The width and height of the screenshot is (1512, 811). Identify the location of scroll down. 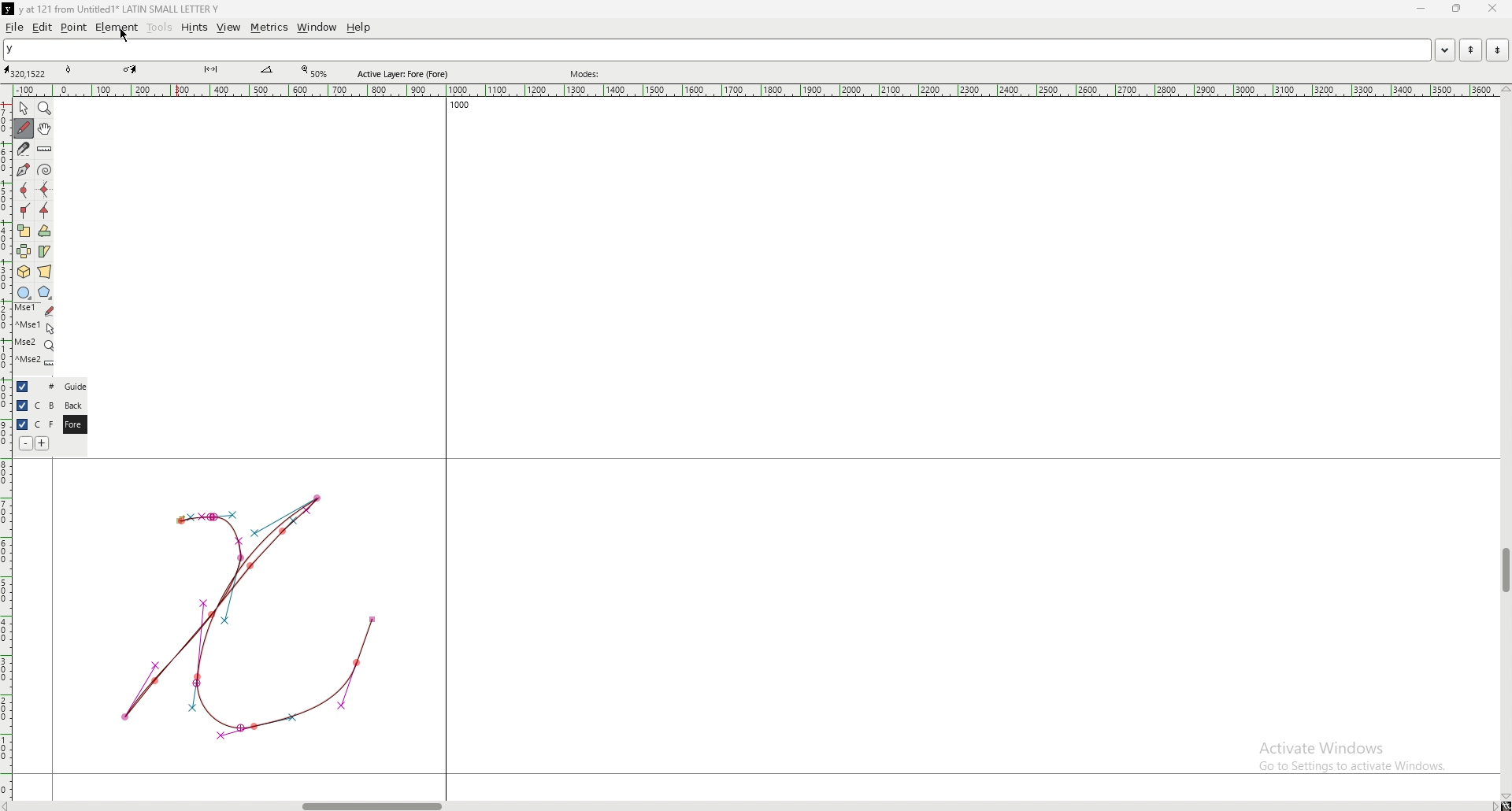
(1505, 797).